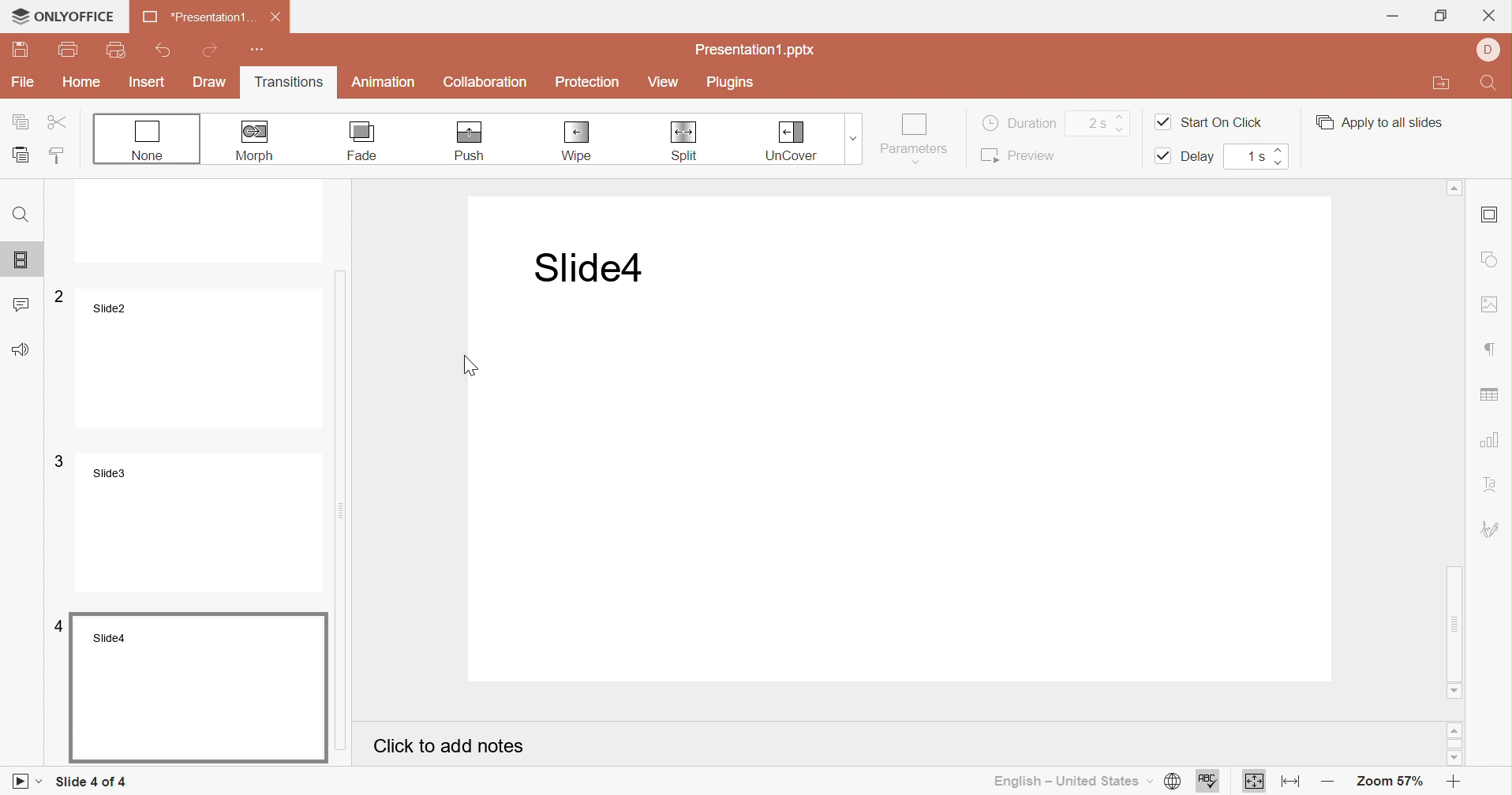  Describe the element at coordinates (60, 157) in the screenshot. I see `Copy style` at that location.